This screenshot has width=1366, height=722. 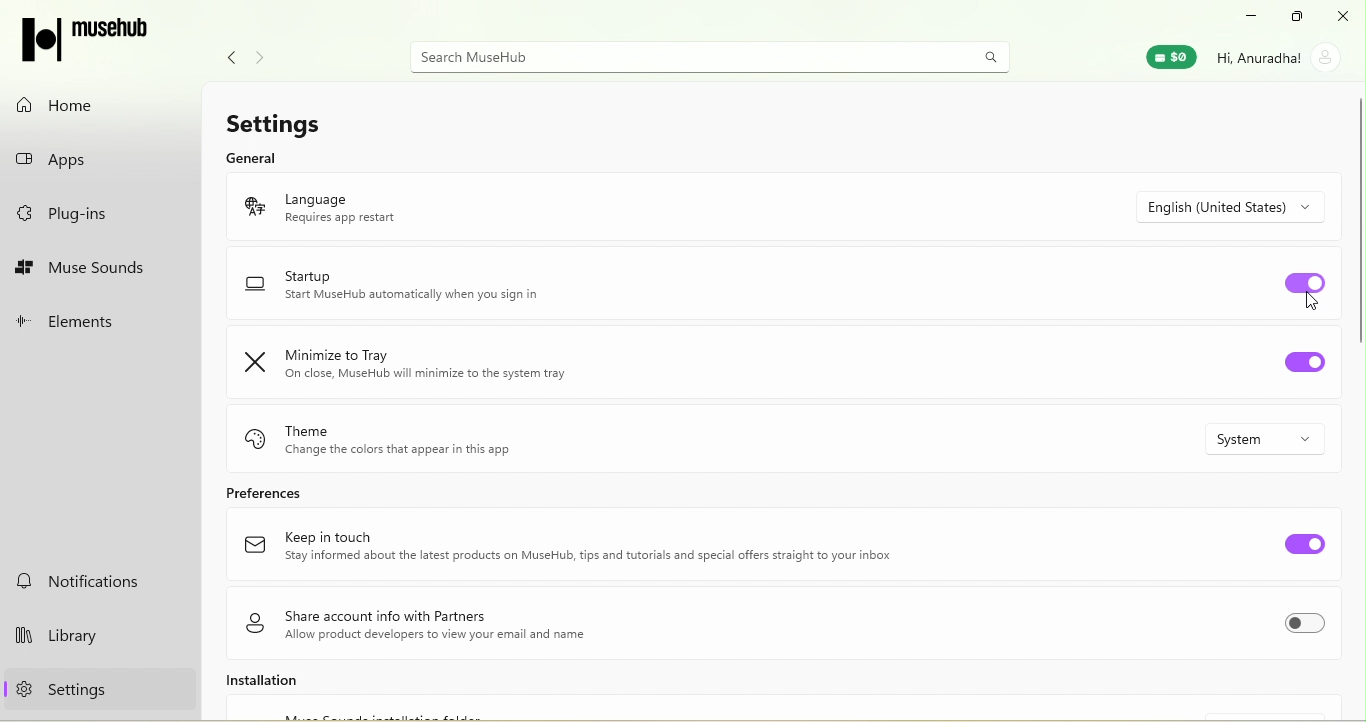 I want to click on Toggle, so click(x=1311, y=626).